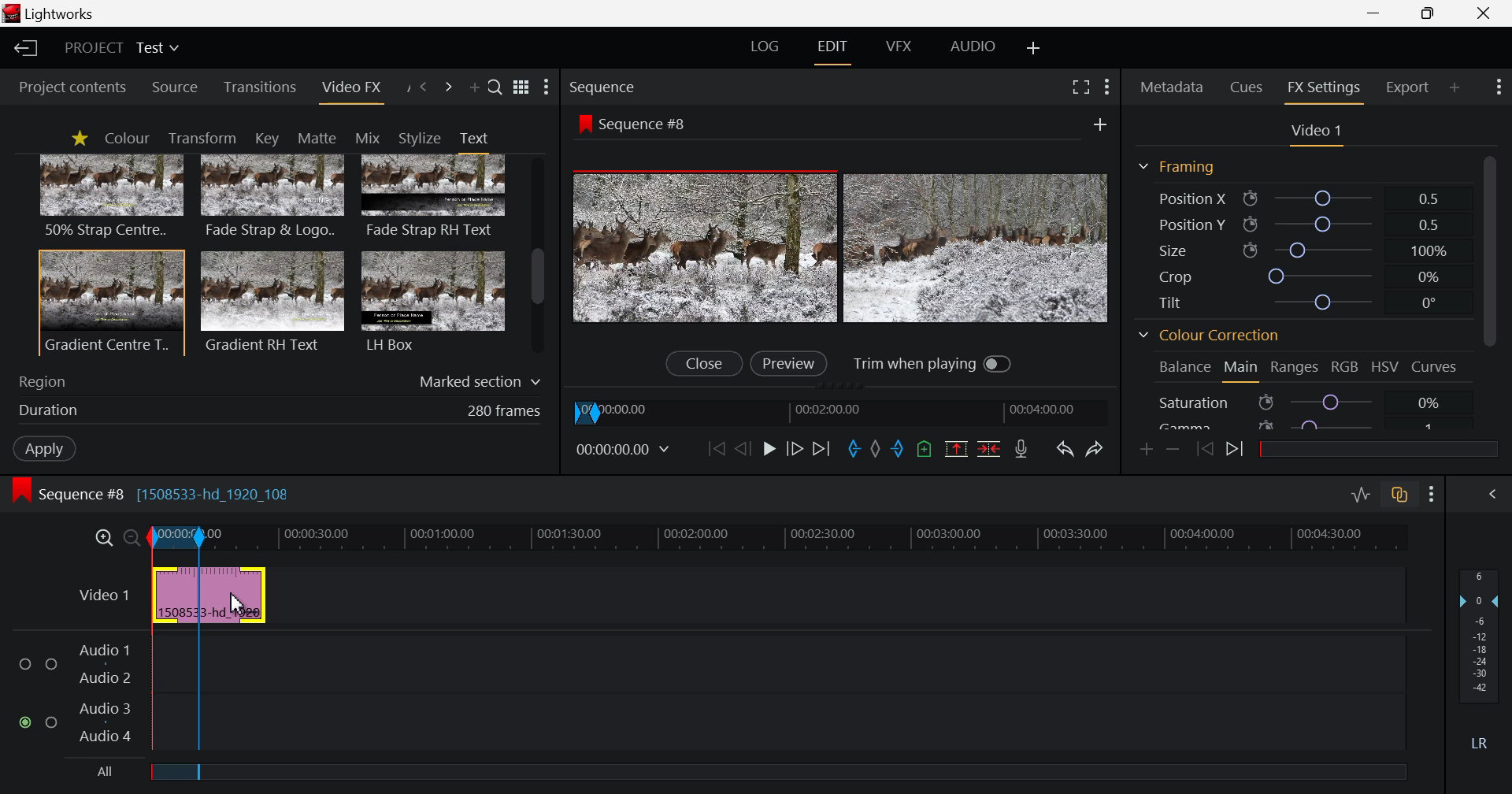 The height and width of the screenshot is (794, 1512). Describe the element at coordinates (132, 534) in the screenshot. I see `Timeline Zoom Out` at that location.